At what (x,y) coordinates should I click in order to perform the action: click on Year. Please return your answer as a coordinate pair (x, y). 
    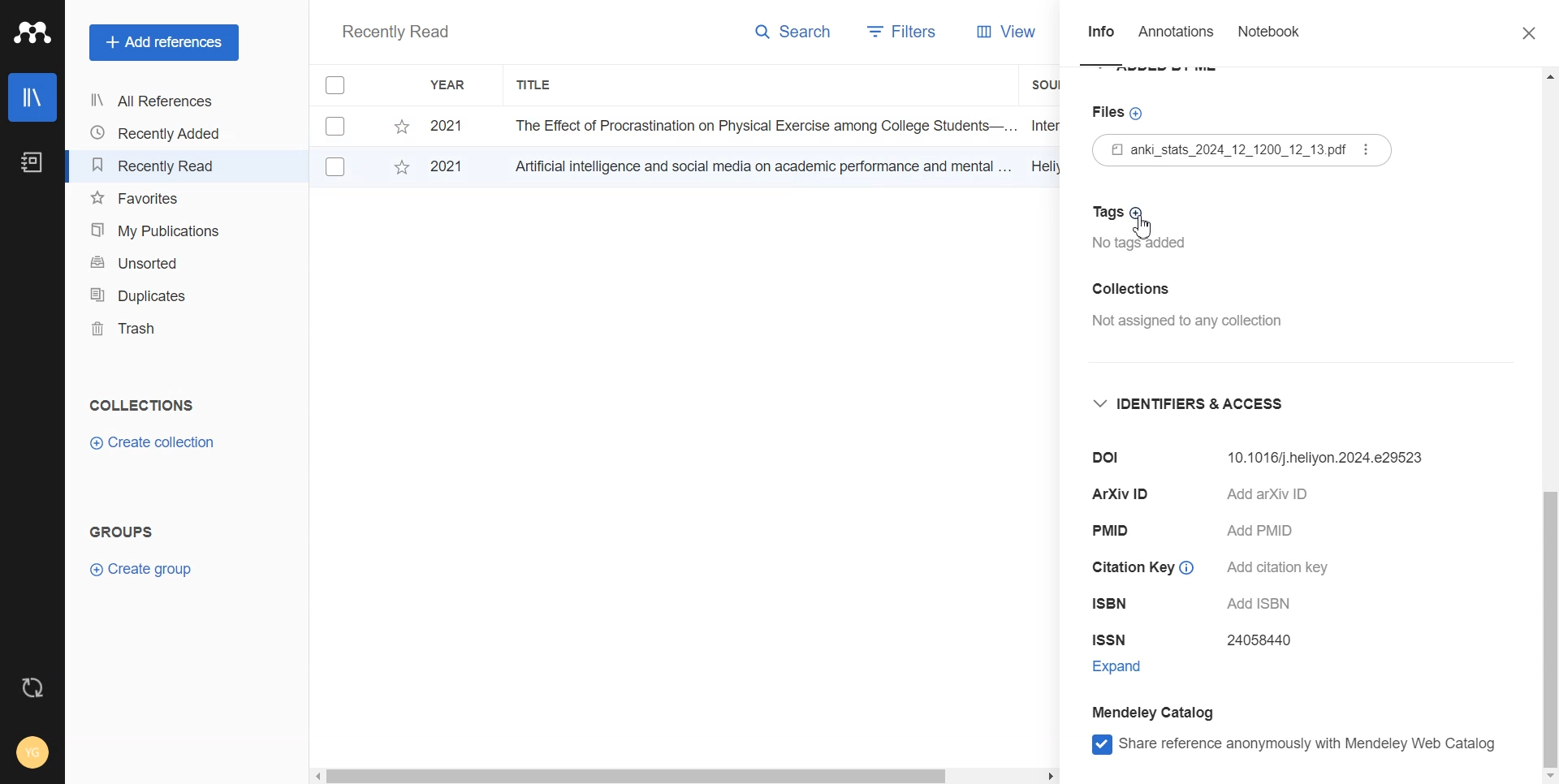
    Looking at the image, I should click on (451, 85).